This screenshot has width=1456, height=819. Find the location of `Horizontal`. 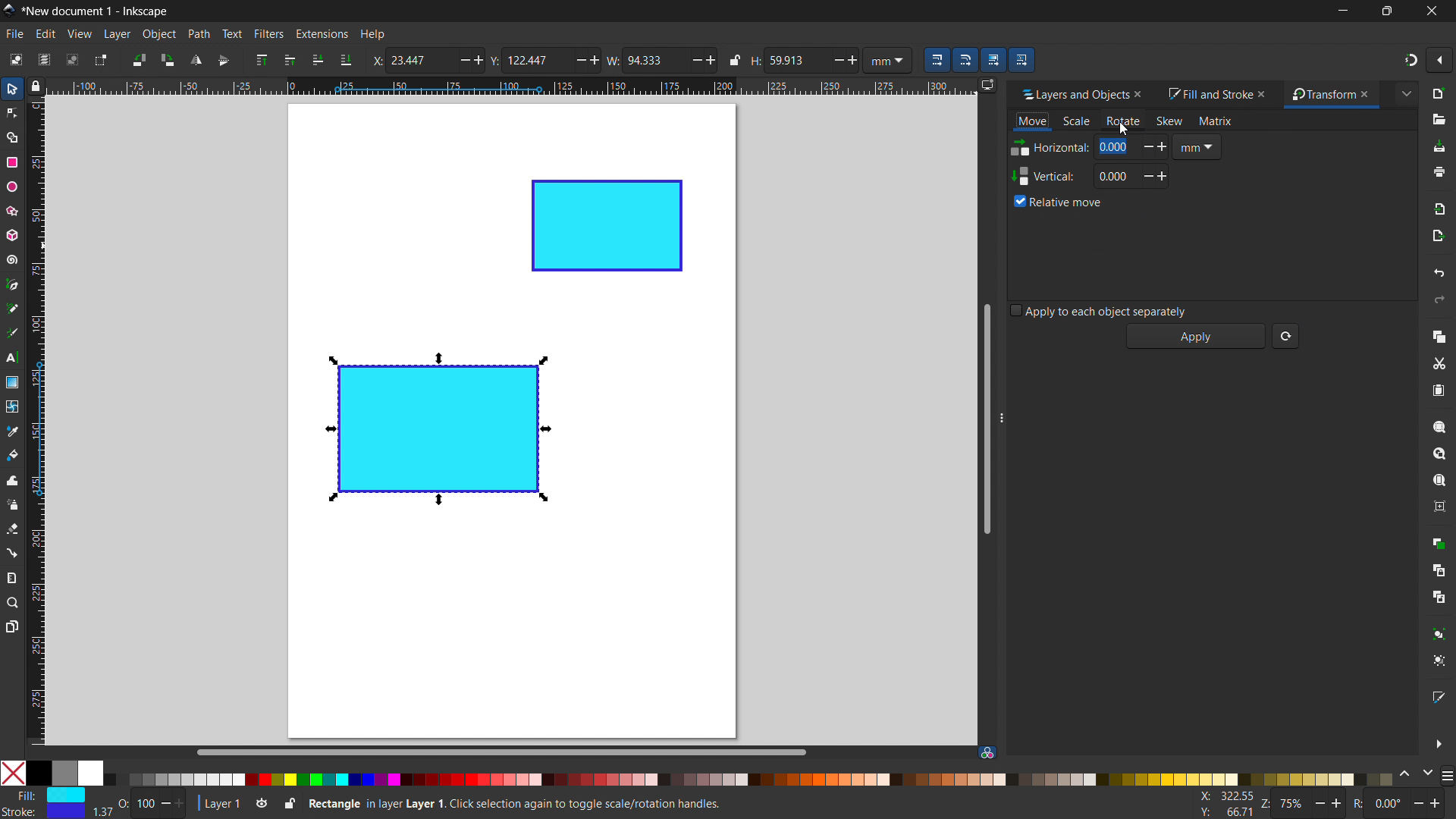

Horizontal is located at coordinates (1050, 147).